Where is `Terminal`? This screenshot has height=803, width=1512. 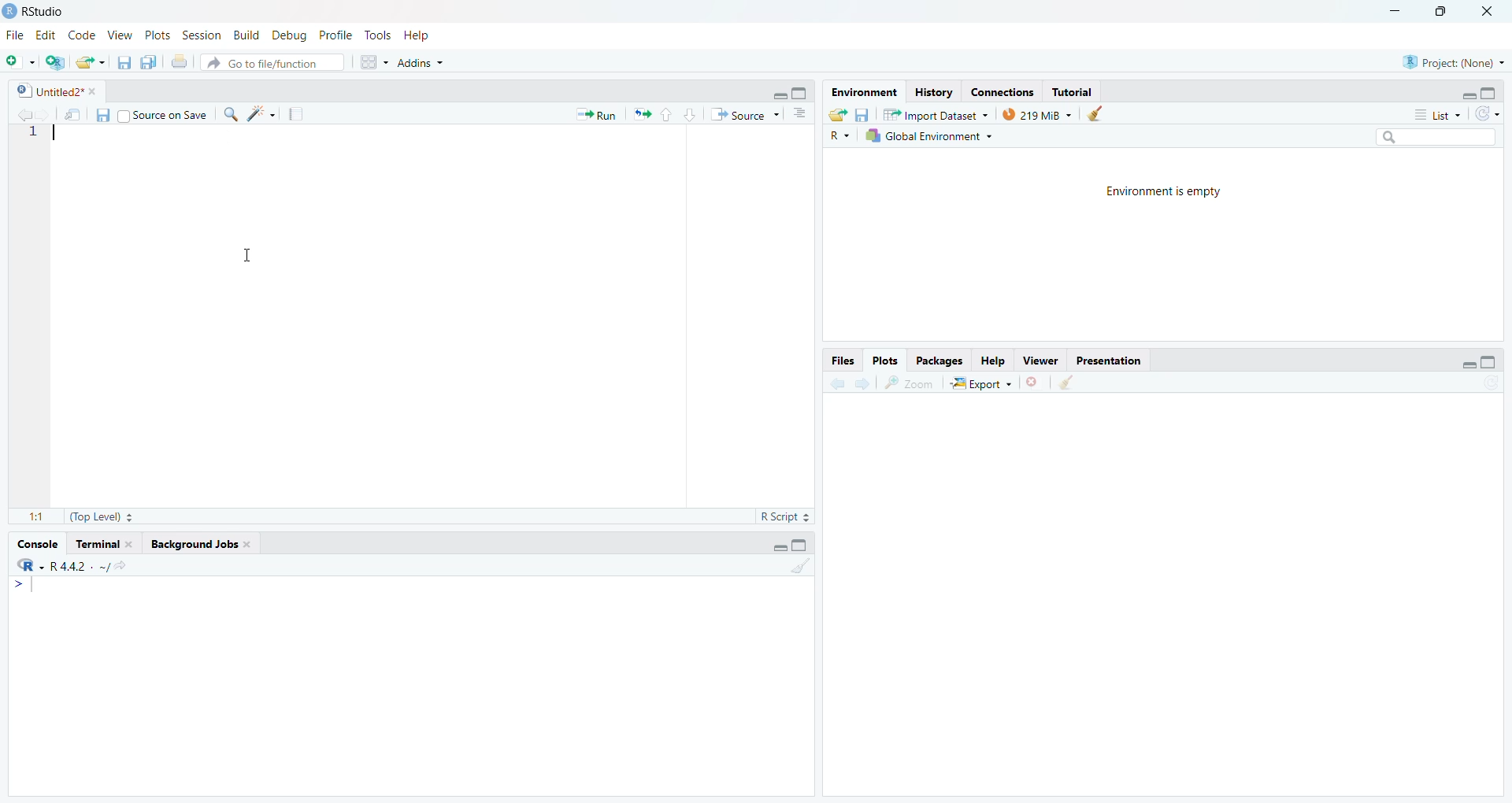 Terminal is located at coordinates (104, 544).